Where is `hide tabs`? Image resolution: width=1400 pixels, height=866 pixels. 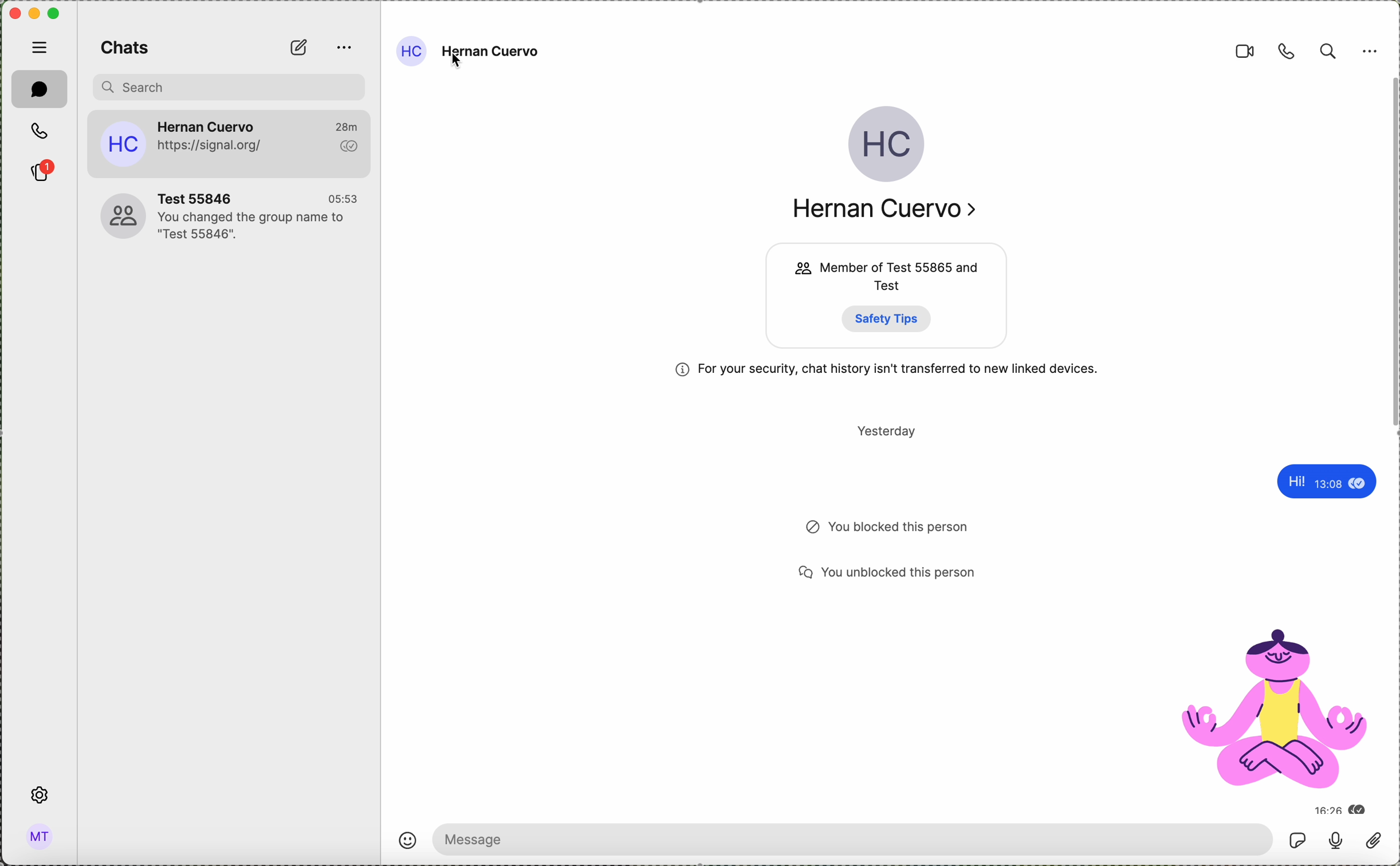
hide tabs is located at coordinates (38, 48).